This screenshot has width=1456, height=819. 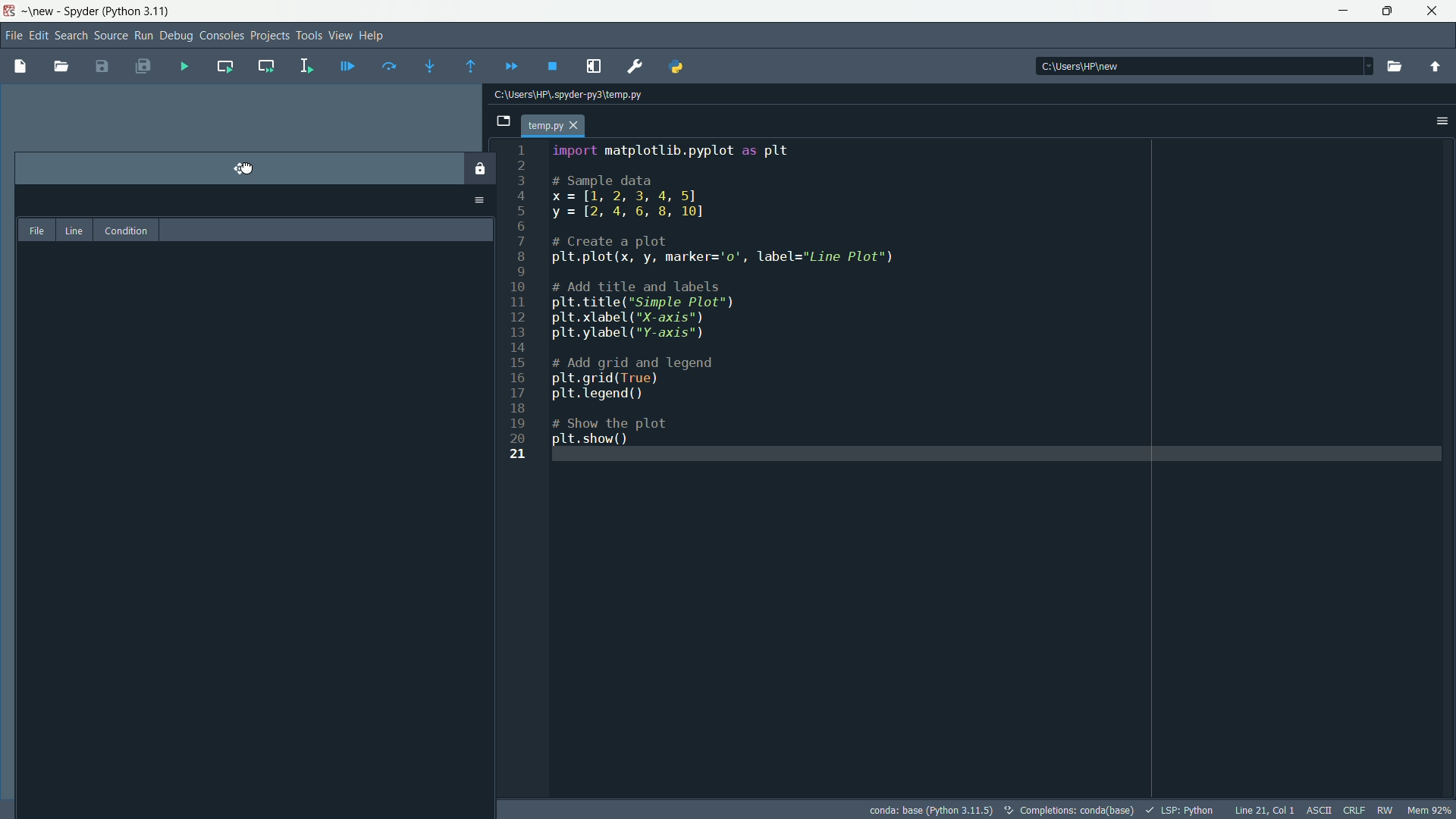 What do you see at coordinates (373, 36) in the screenshot?
I see `help menu` at bounding box center [373, 36].